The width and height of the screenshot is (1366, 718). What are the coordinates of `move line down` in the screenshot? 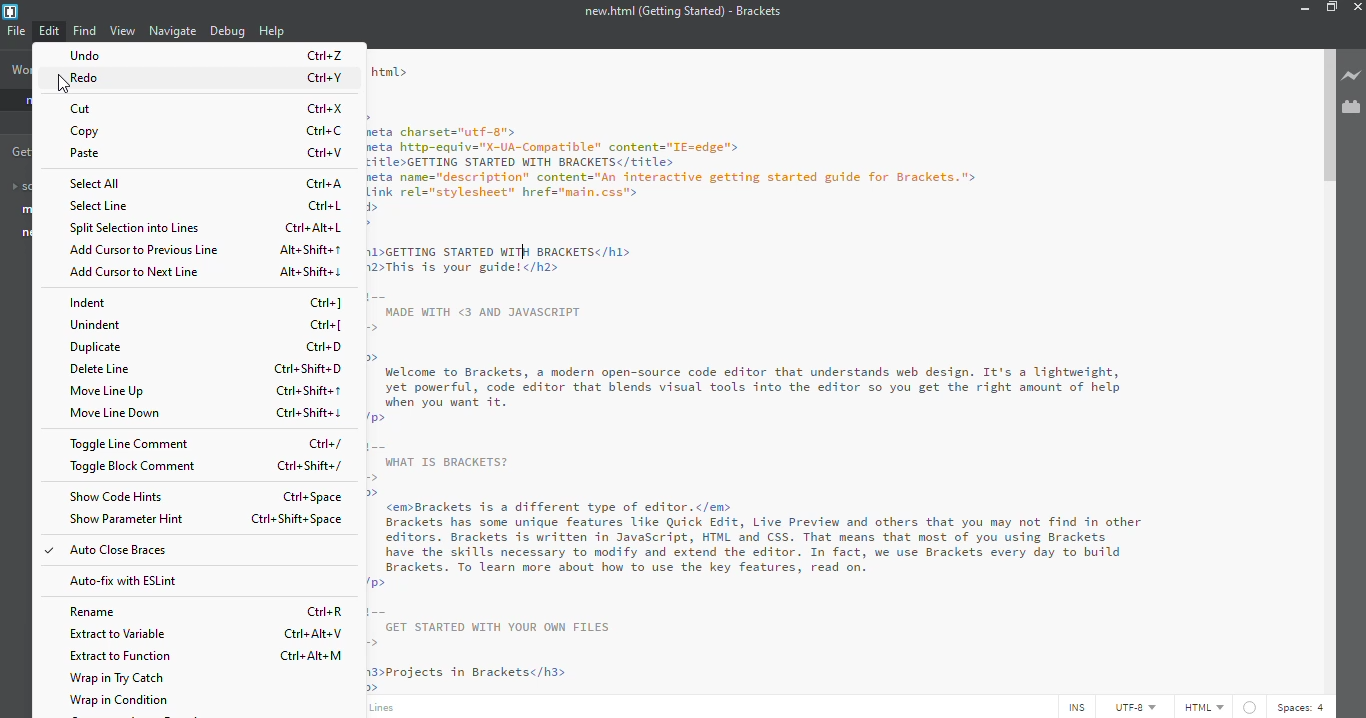 It's located at (114, 413).